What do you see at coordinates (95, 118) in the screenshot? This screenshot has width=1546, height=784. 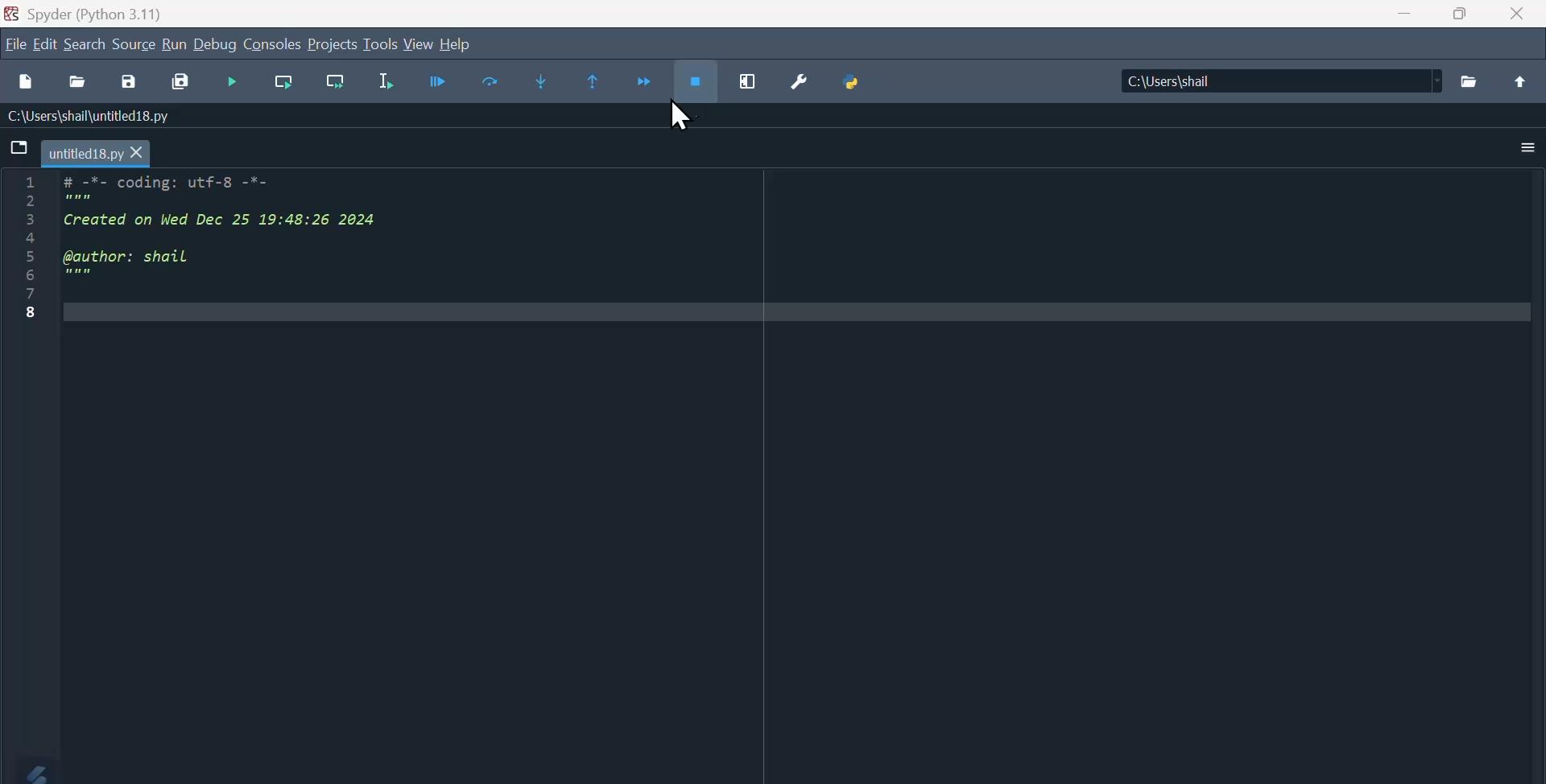 I see `C:\Users\shail\untitled18.py` at bounding box center [95, 118].